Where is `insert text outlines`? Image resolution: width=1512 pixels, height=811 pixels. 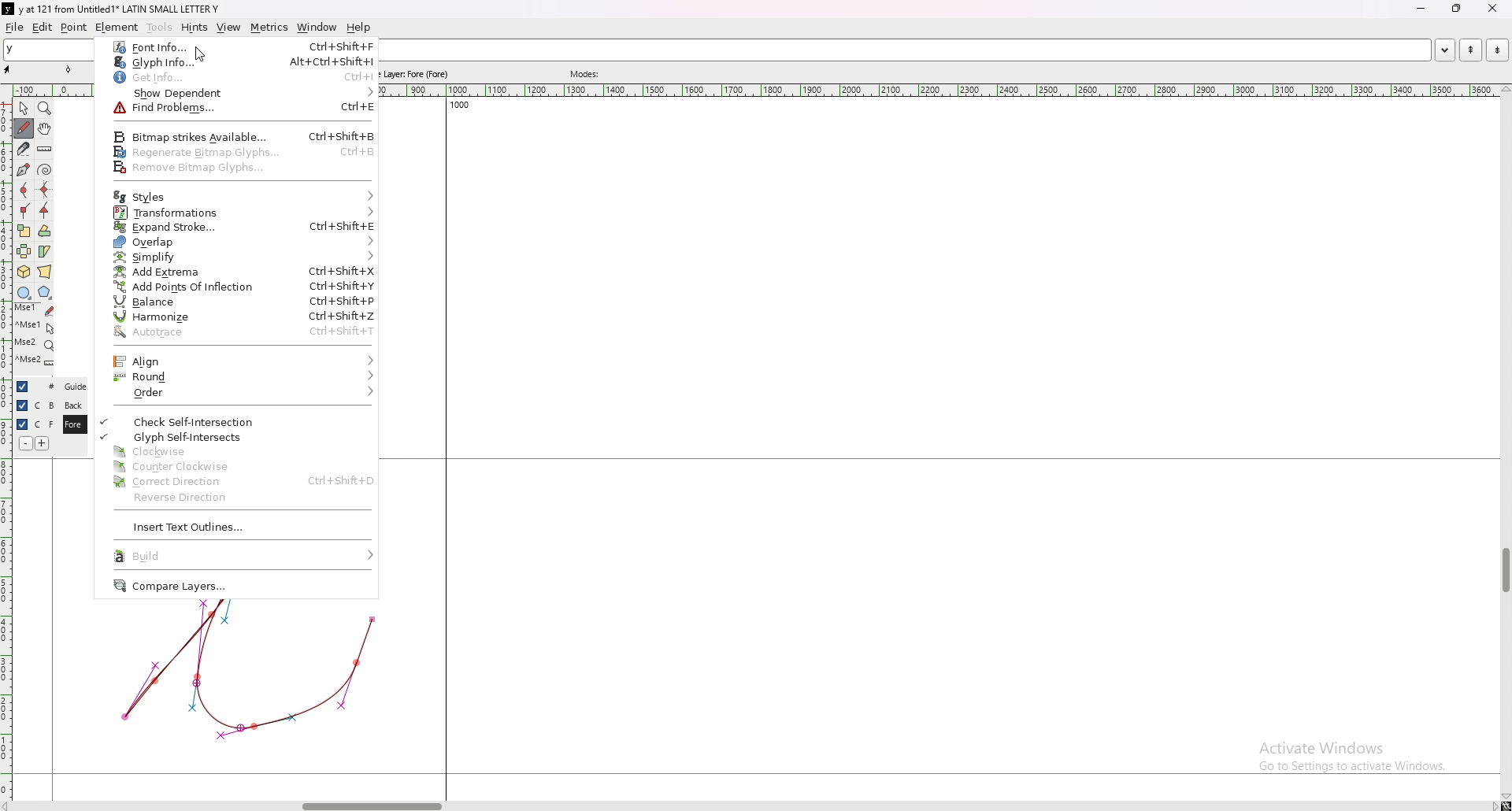 insert text outlines is located at coordinates (237, 527).